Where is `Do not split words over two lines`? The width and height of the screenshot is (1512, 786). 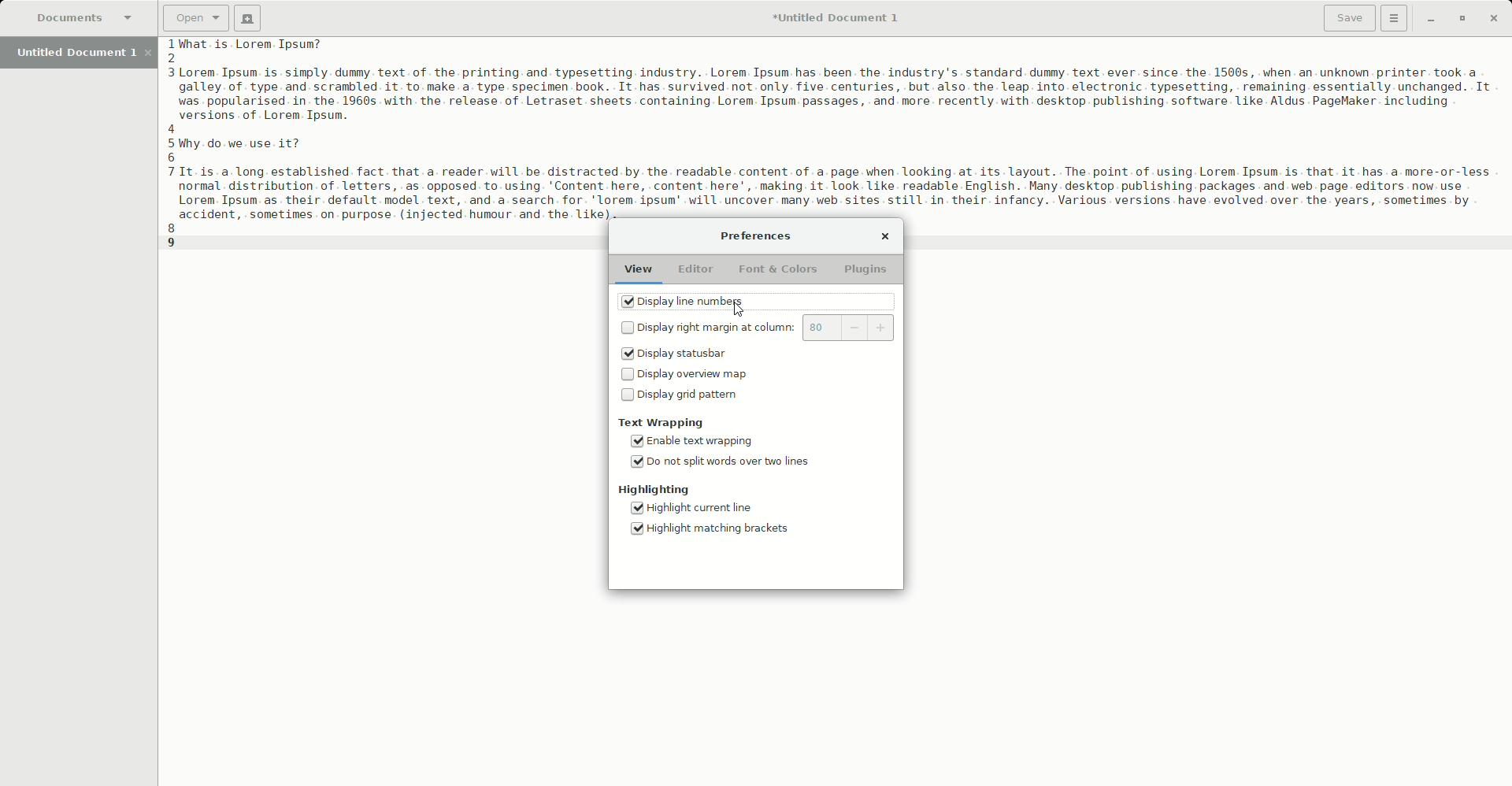
Do not split words over two lines is located at coordinates (720, 465).